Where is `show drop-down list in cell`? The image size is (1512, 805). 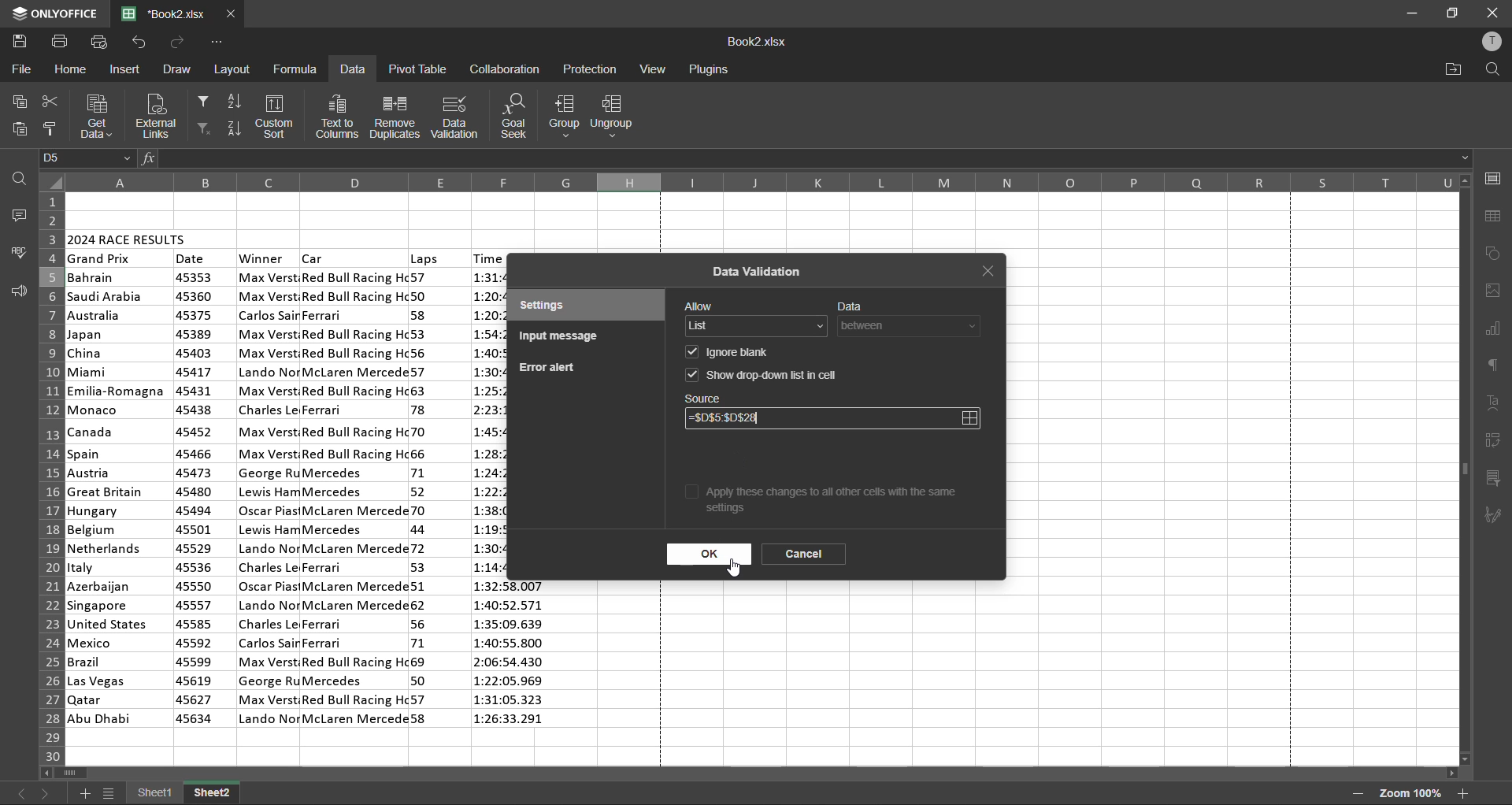 show drop-down list in cell is located at coordinates (776, 373).